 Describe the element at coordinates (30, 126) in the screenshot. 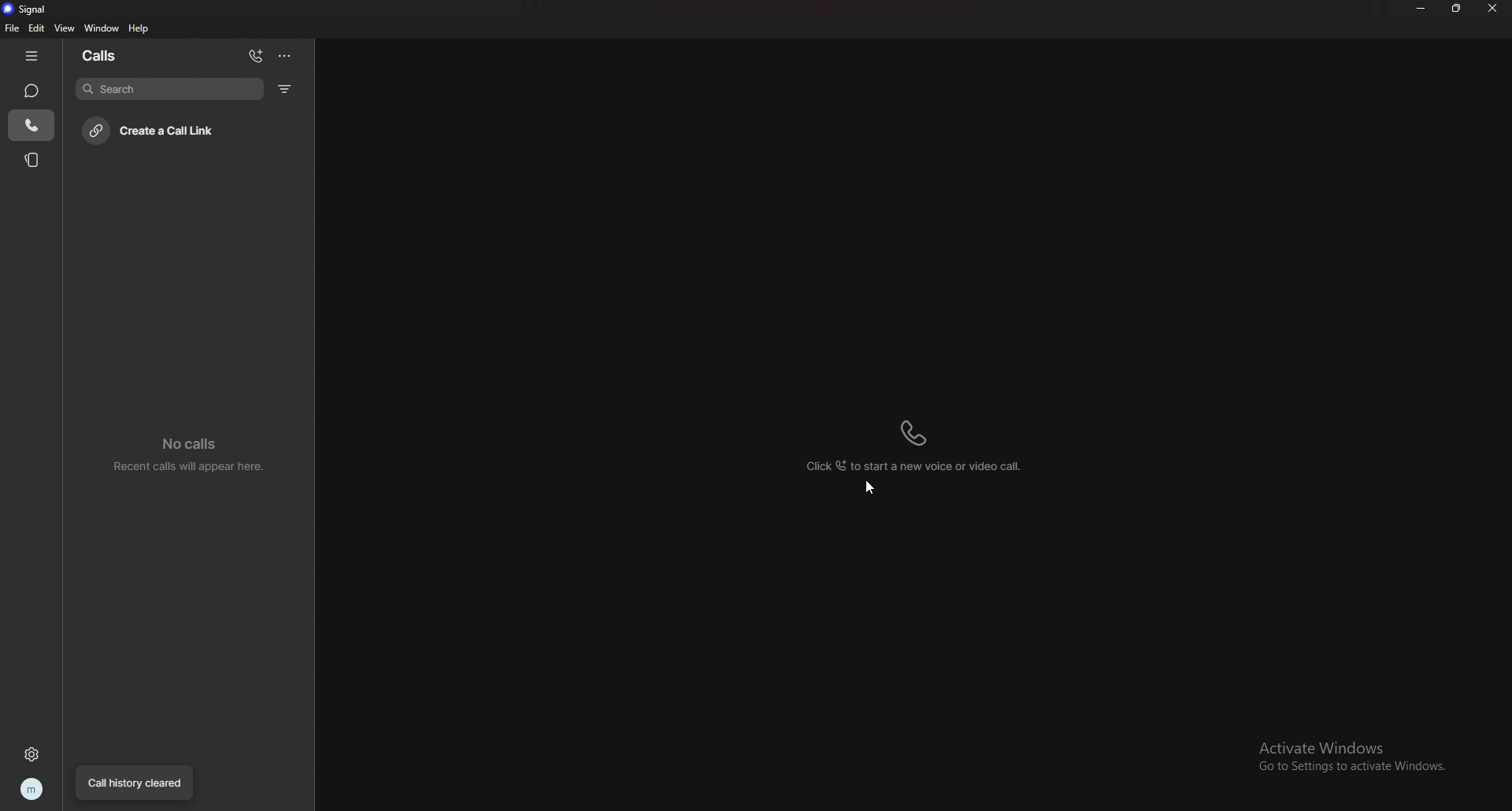

I see `calls` at that location.